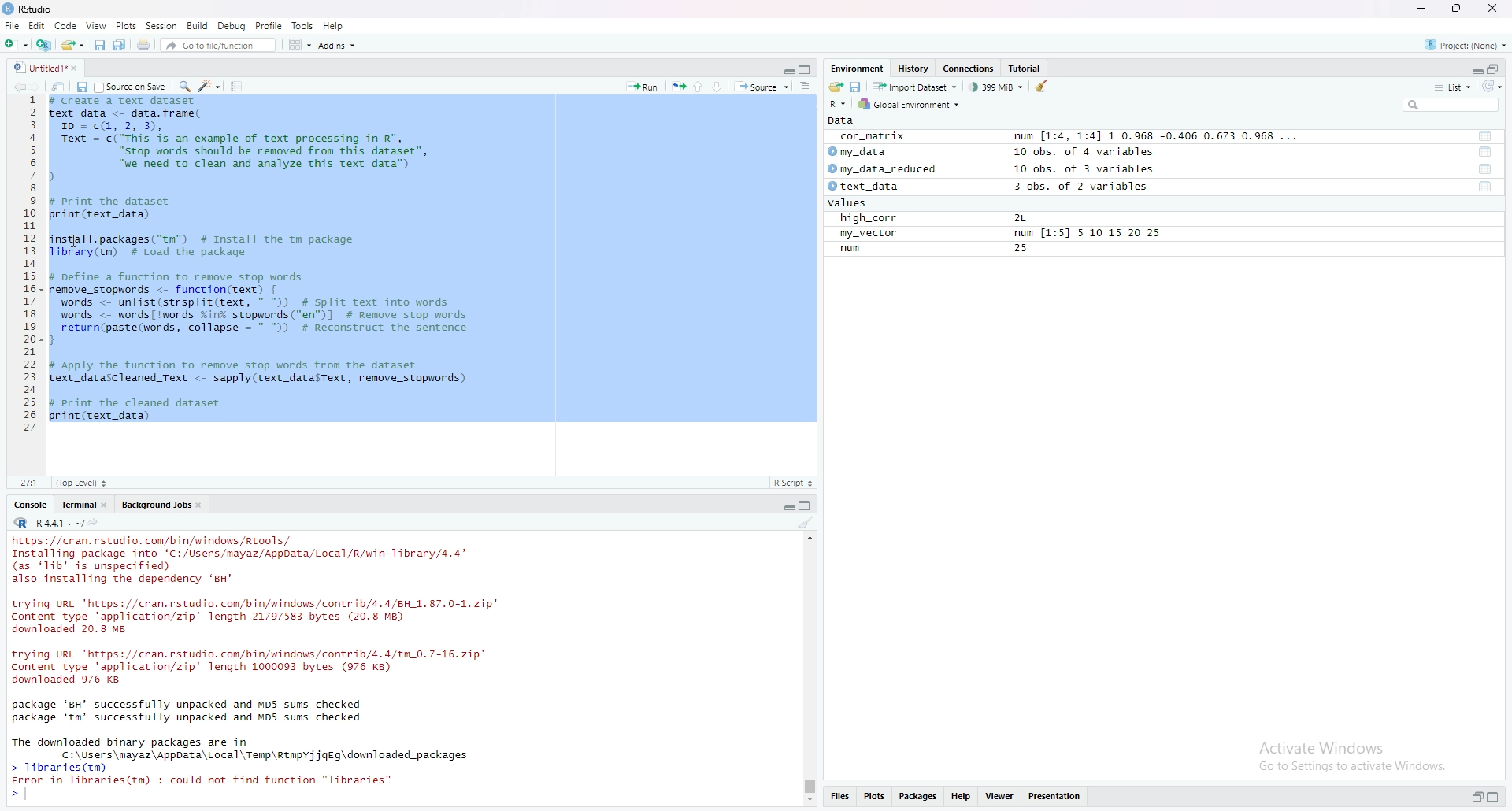 The image size is (1512, 811). I want to click on file, so click(11, 26).